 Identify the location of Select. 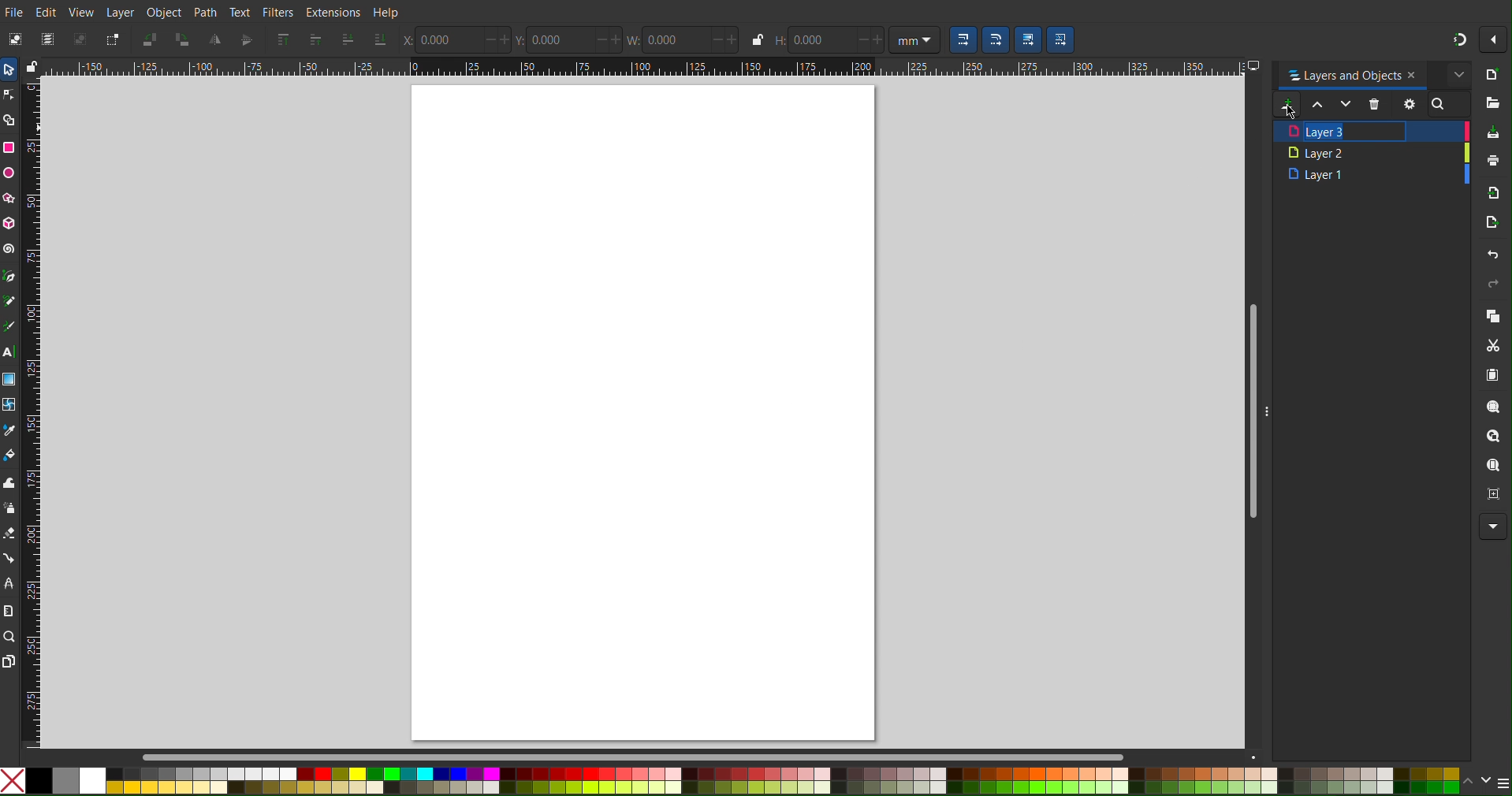
(13, 69).